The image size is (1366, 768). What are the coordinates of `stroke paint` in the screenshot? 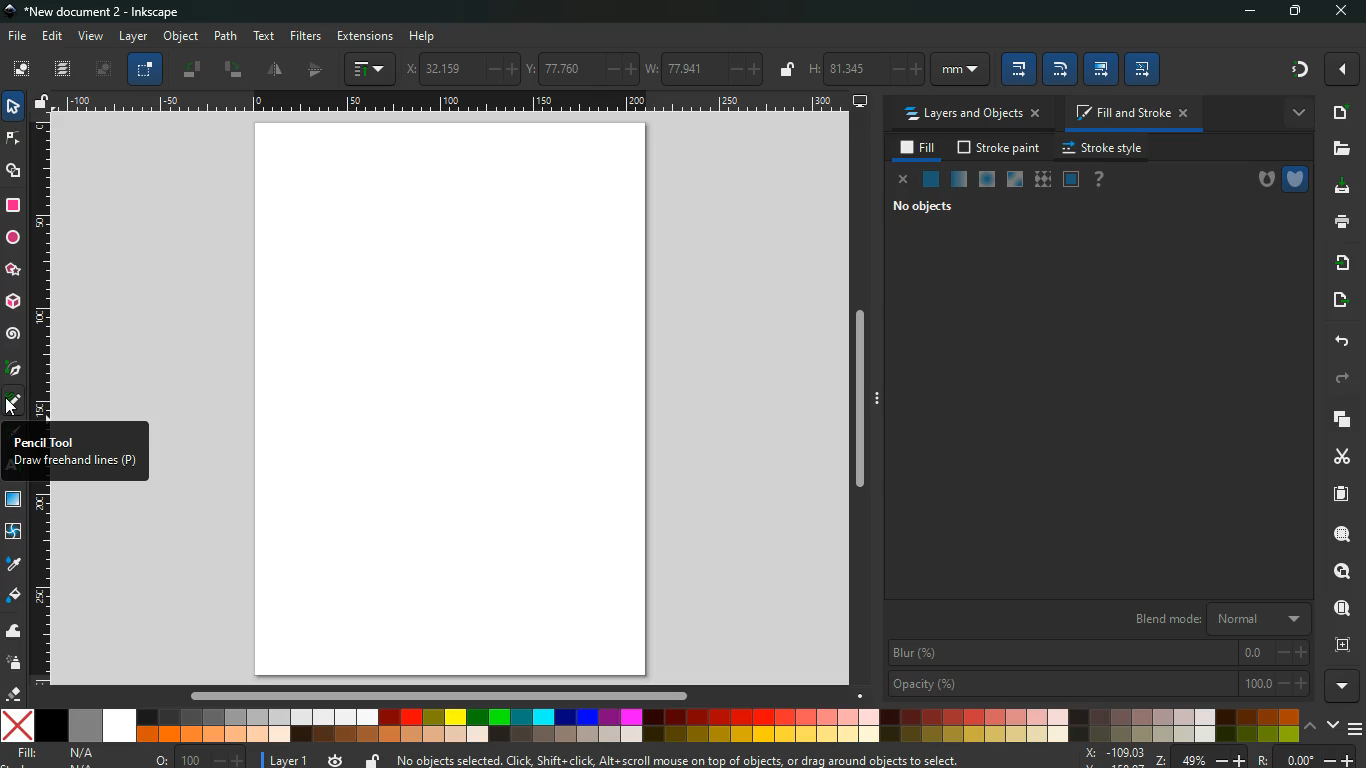 It's located at (1001, 147).